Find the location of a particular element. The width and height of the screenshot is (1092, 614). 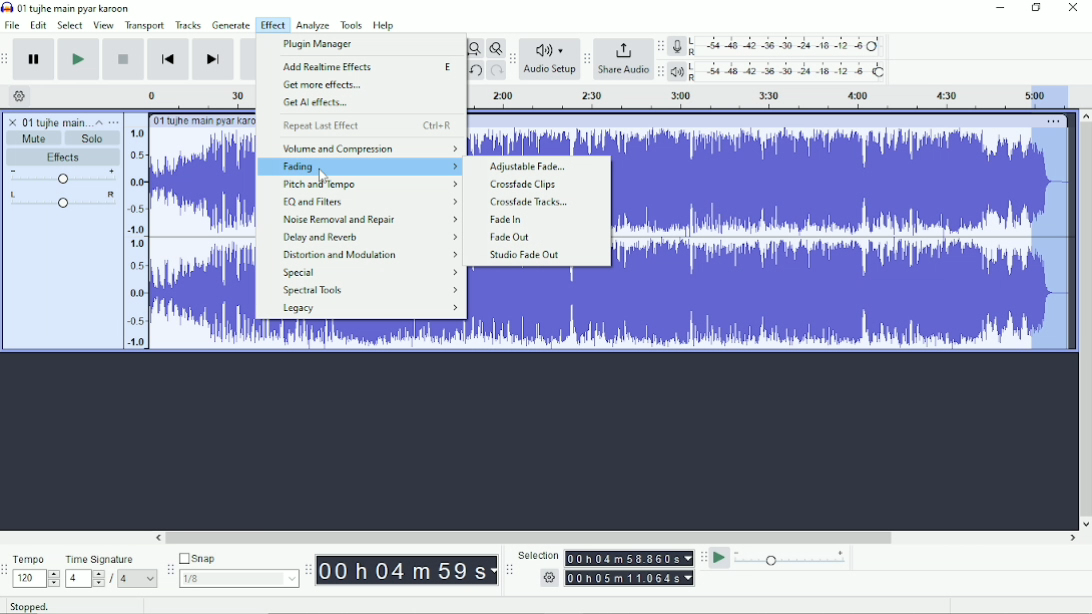

Fade In is located at coordinates (507, 219).